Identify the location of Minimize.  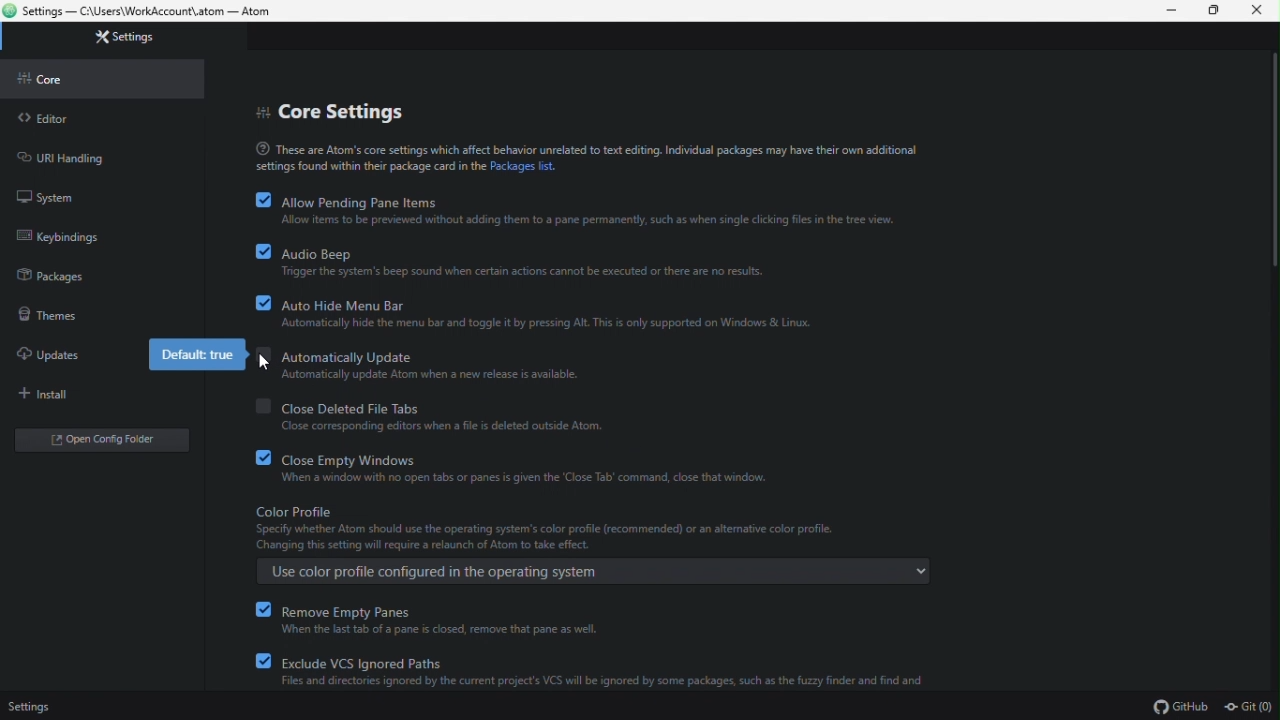
(1172, 12).